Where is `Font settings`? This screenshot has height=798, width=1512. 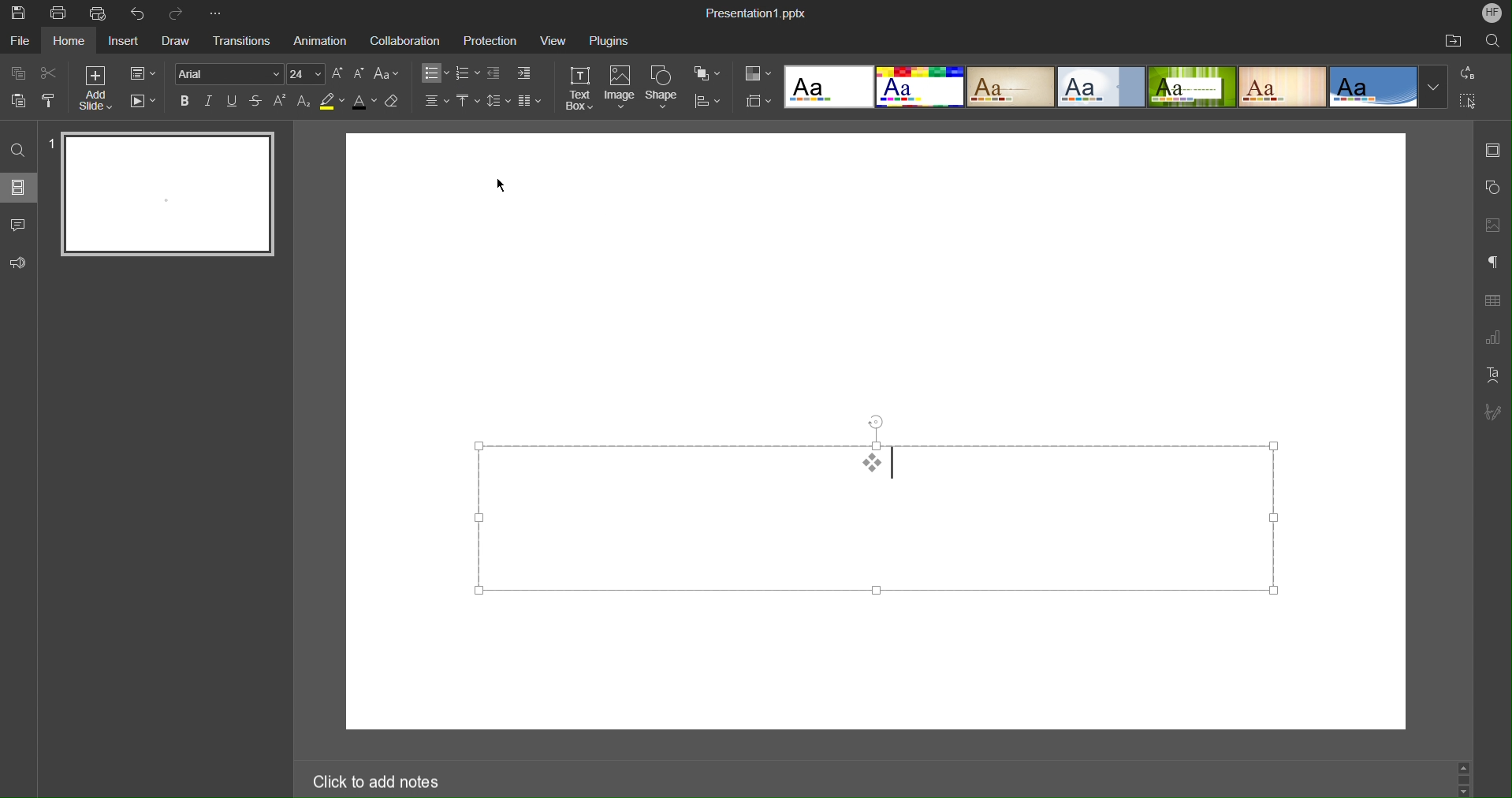 Font settings is located at coordinates (251, 73).